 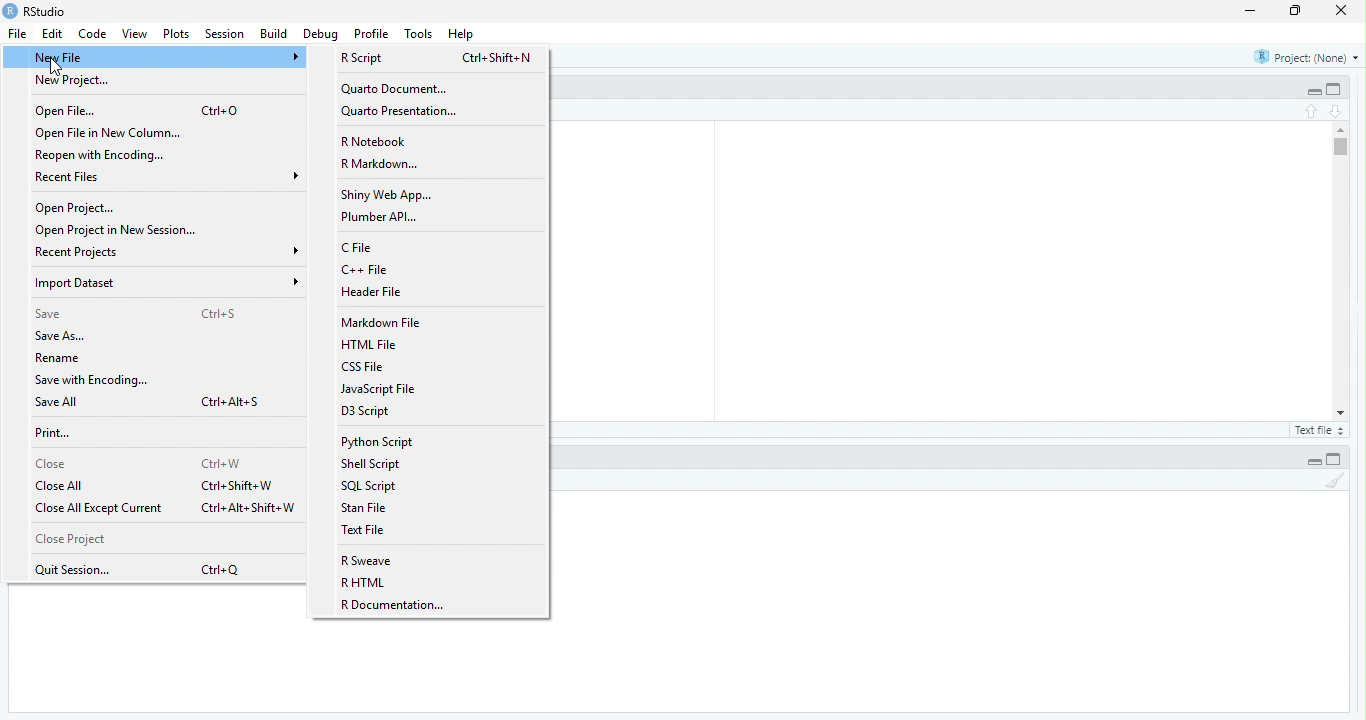 I want to click on R Script, so click(x=362, y=58).